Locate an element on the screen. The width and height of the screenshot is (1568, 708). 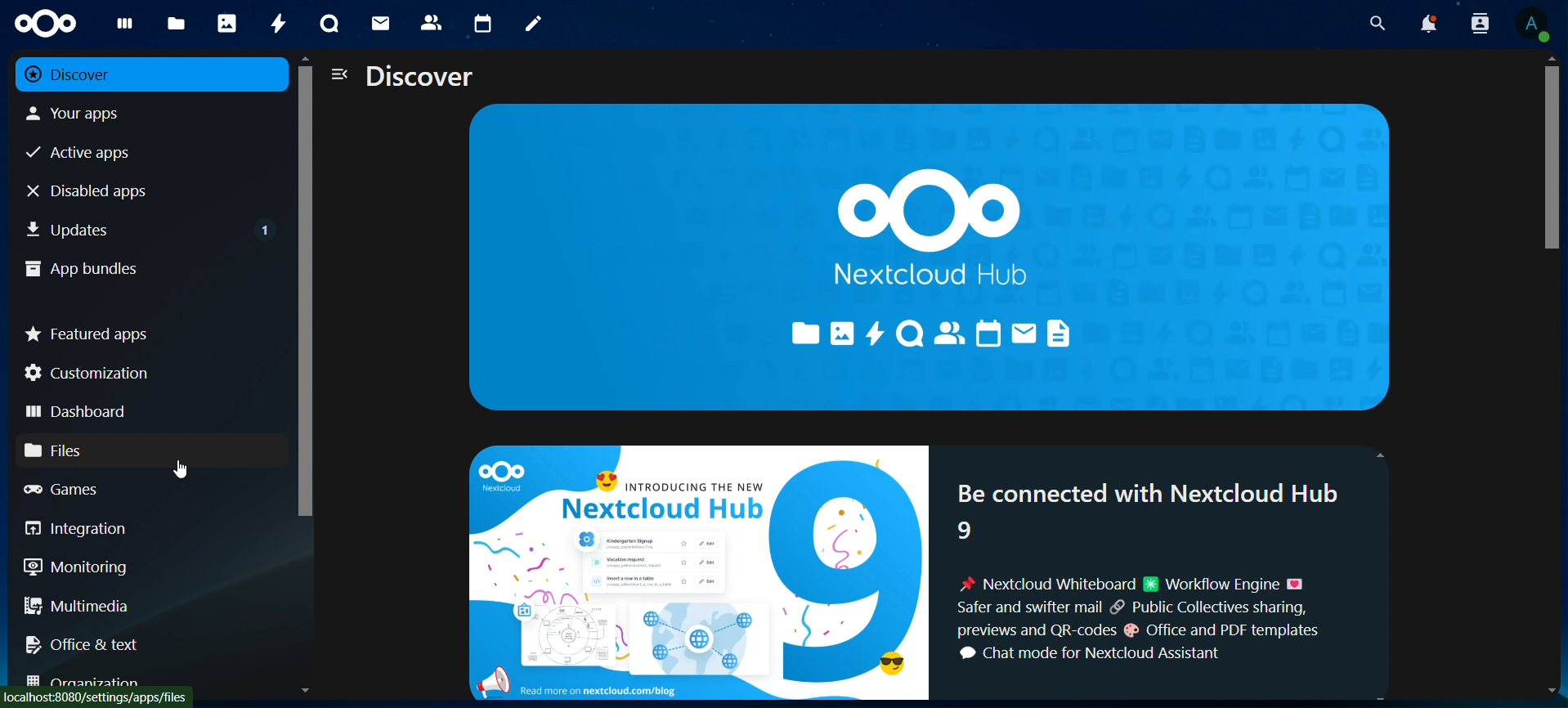
search is located at coordinates (1375, 24).